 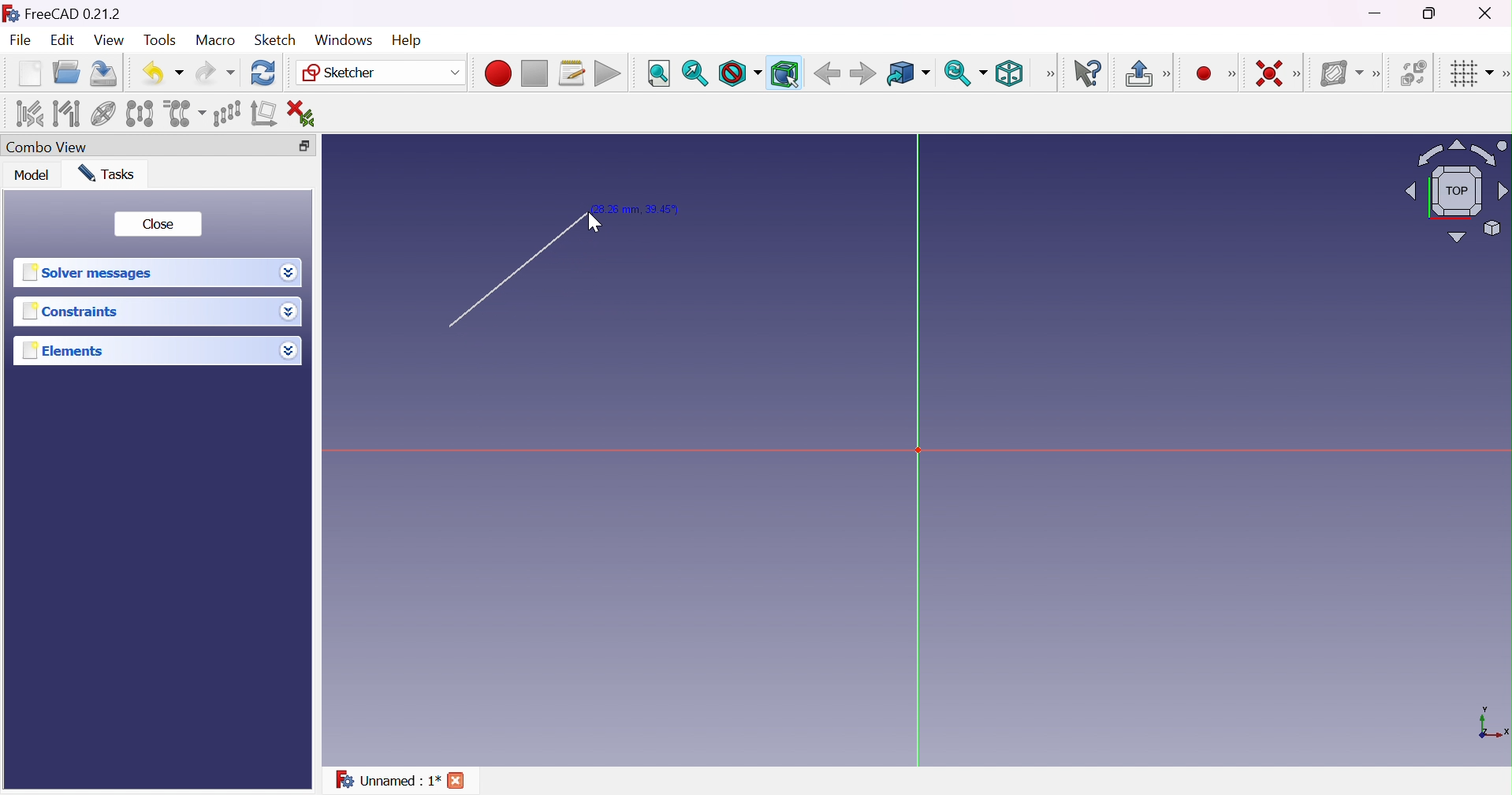 What do you see at coordinates (225, 113) in the screenshot?
I see `Rectangular array` at bounding box center [225, 113].